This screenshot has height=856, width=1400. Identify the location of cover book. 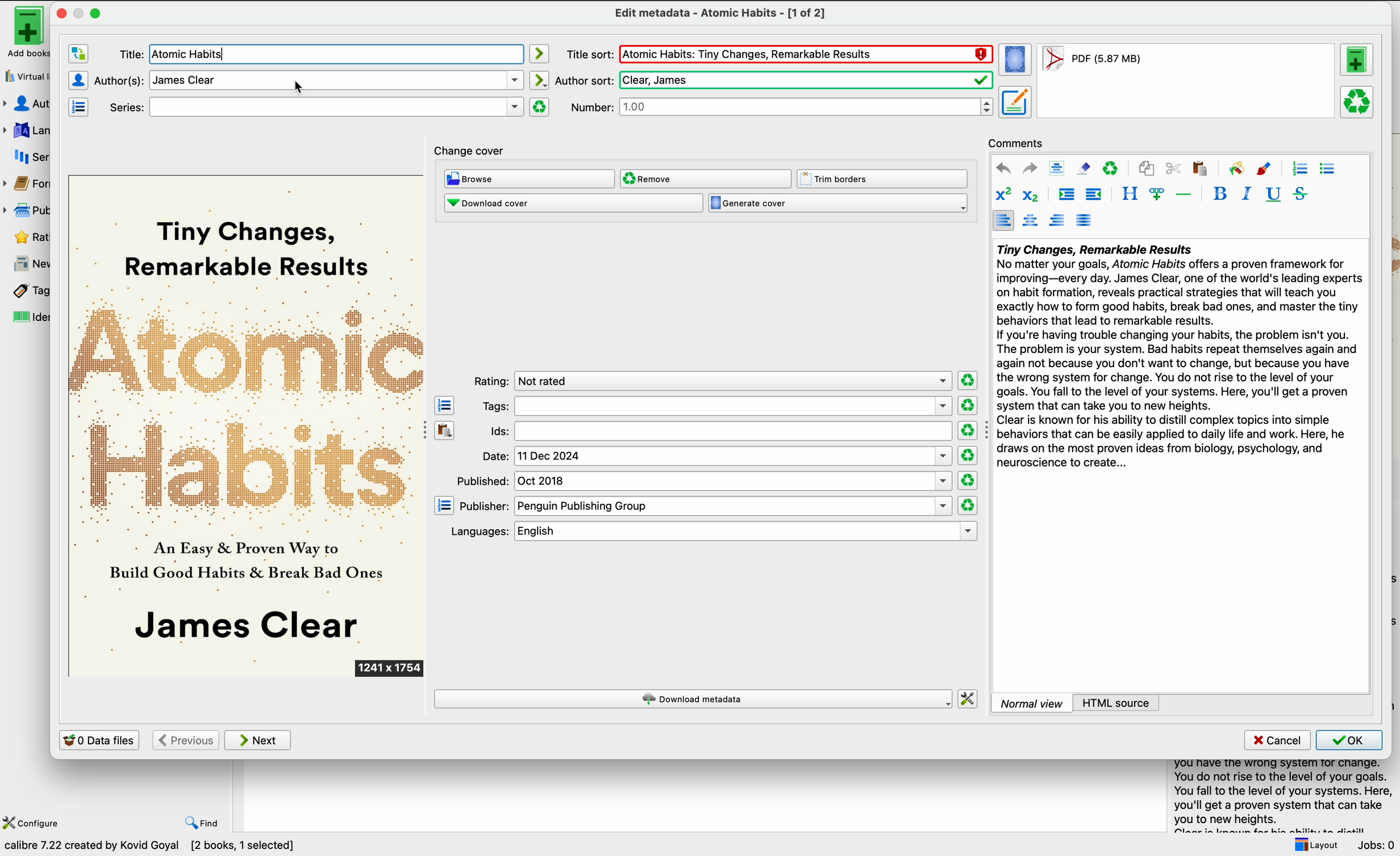
(248, 426).